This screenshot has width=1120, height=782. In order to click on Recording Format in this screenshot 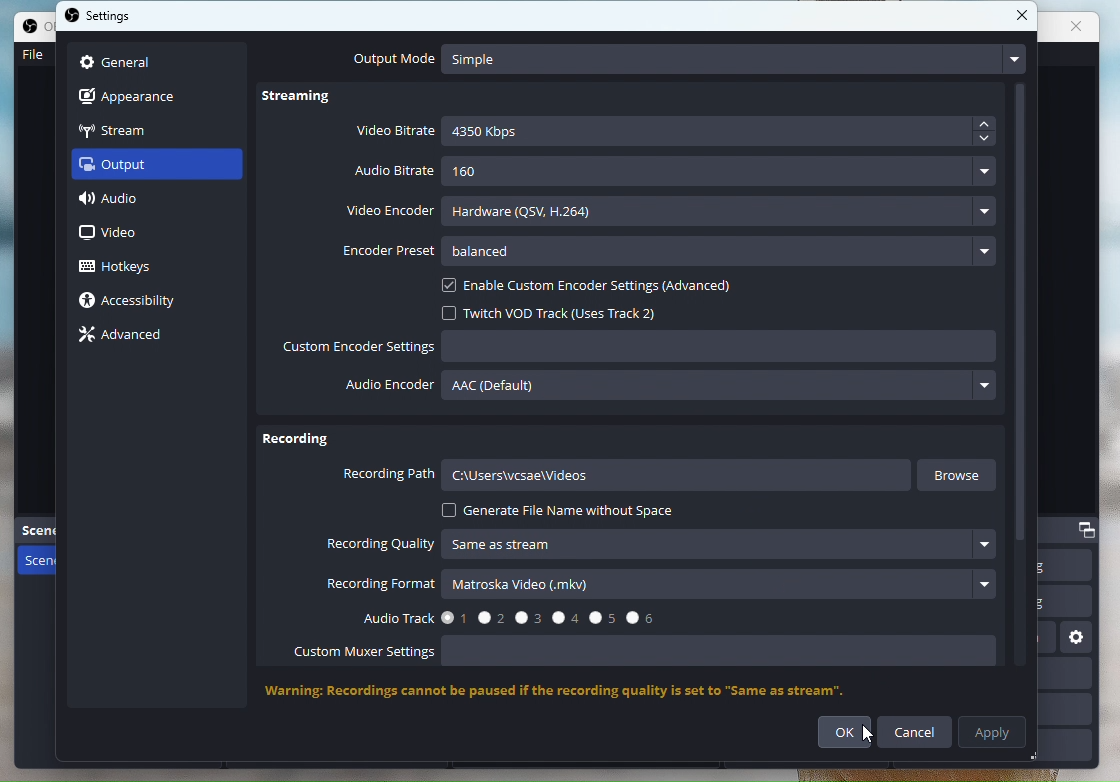, I will do `click(661, 586)`.